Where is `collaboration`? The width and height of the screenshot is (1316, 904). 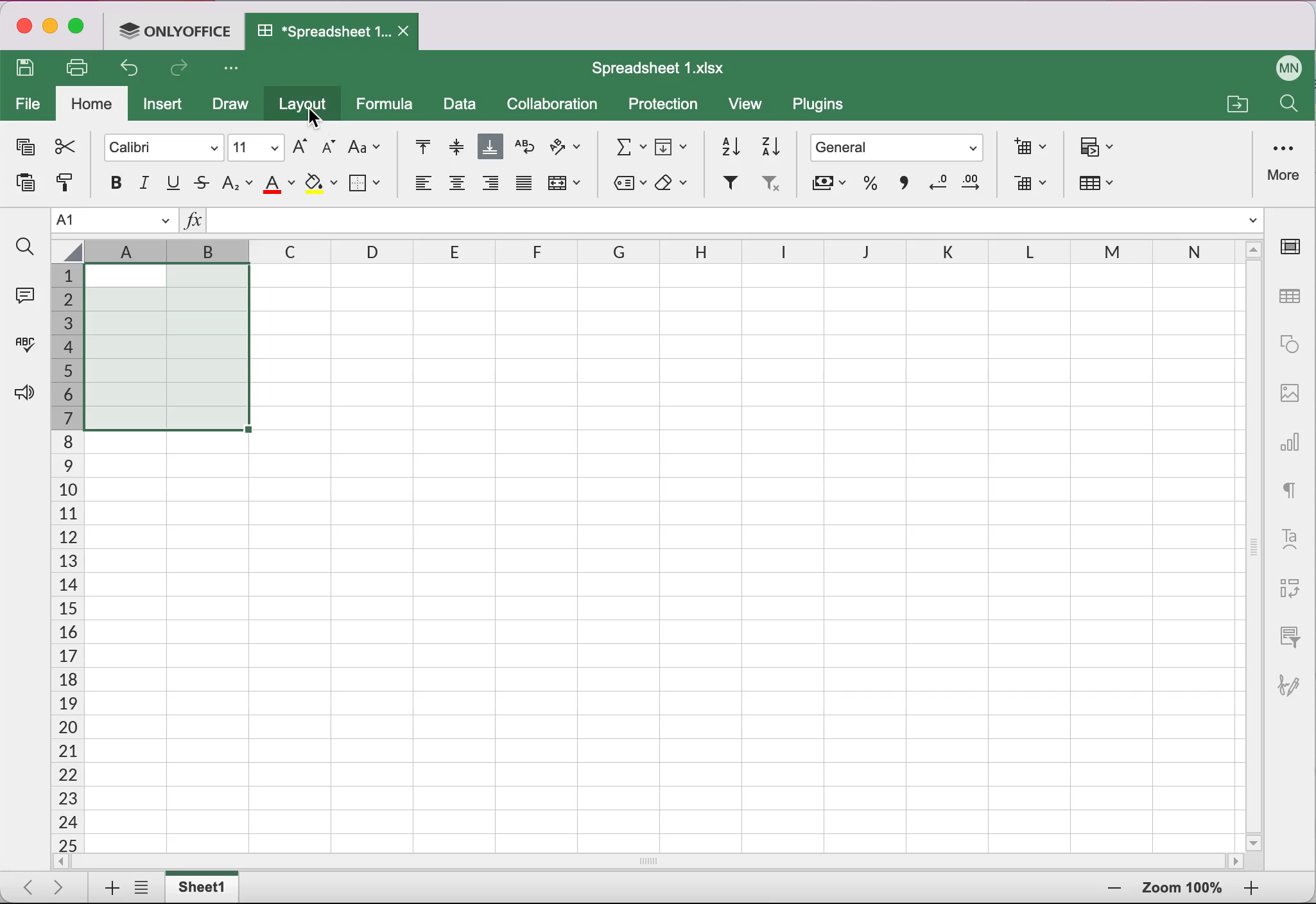
collaboration is located at coordinates (558, 105).